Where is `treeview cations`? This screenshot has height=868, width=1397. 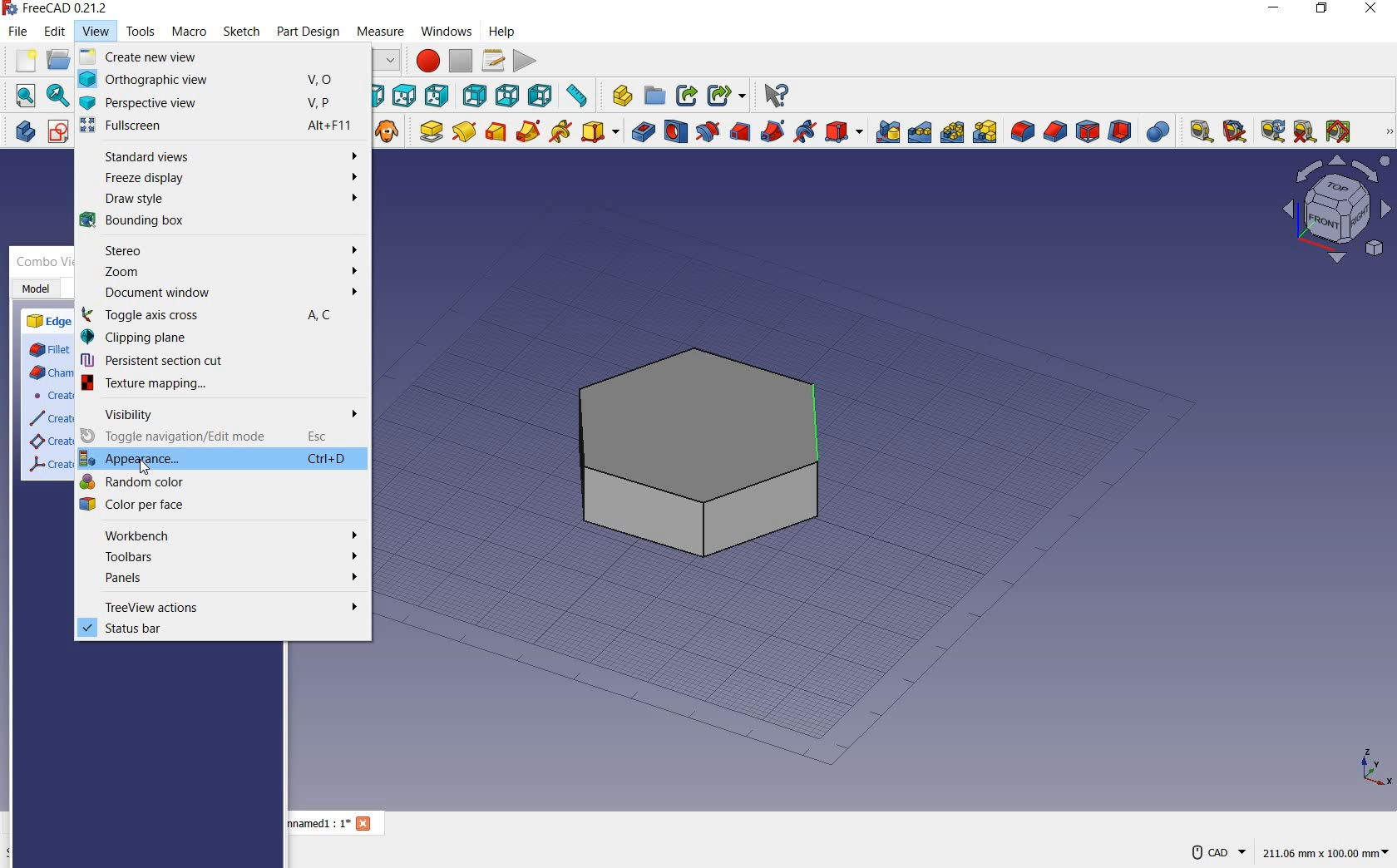
treeview cations is located at coordinates (221, 606).